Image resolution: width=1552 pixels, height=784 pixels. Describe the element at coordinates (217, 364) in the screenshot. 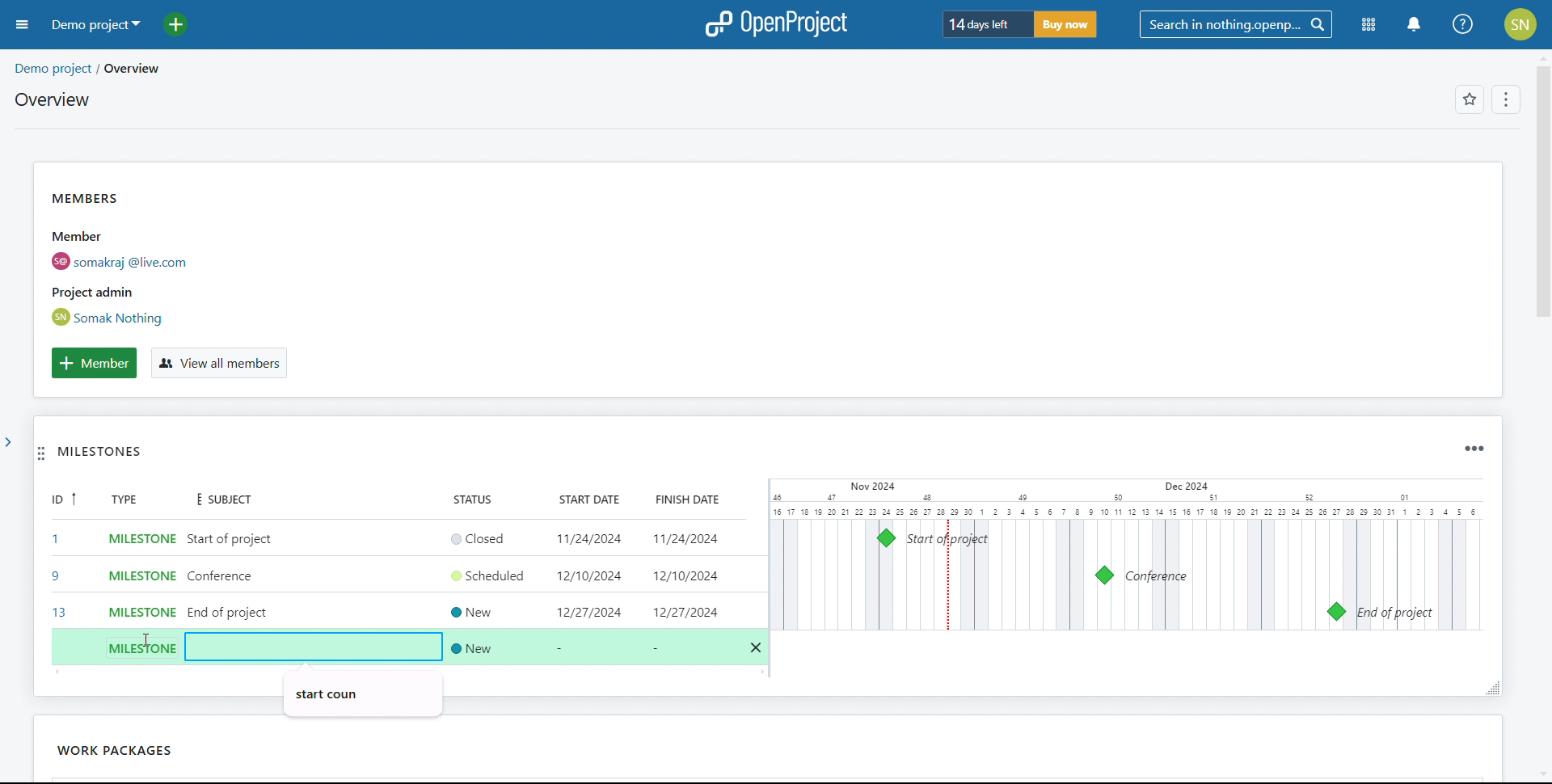

I see `view all members` at that location.